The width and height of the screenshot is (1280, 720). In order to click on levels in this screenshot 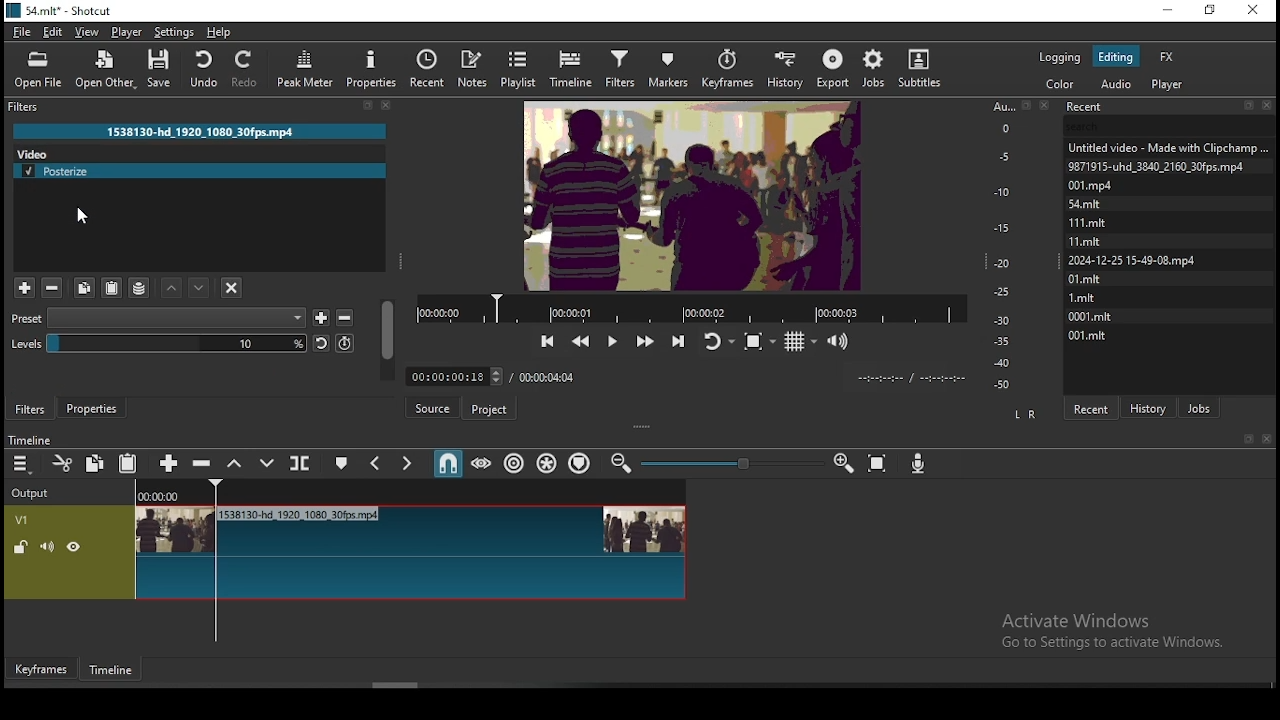, I will do `click(160, 343)`.